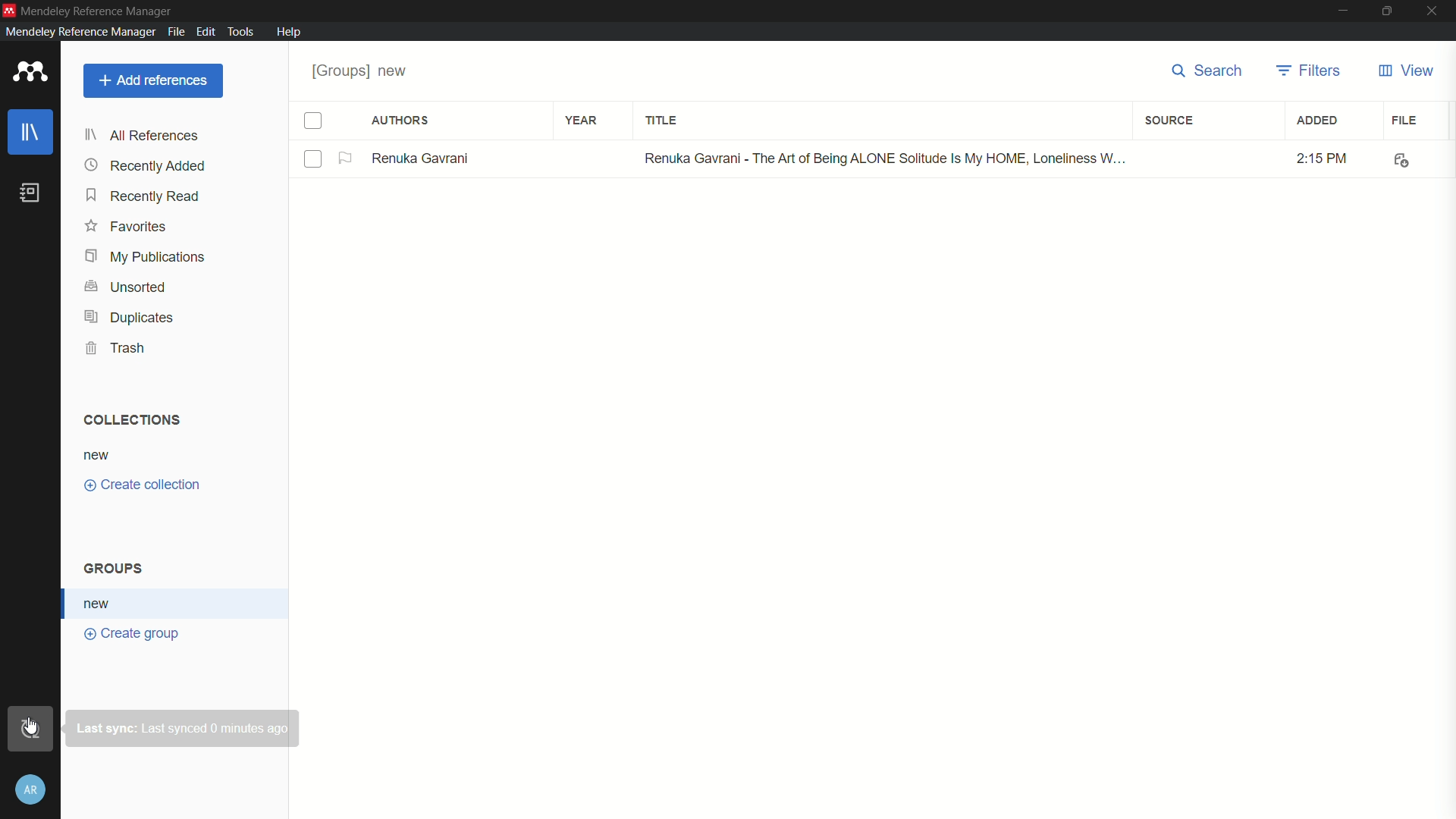 This screenshot has height=819, width=1456. Describe the element at coordinates (242, 30) in the screenshot. I see `tools menu` at that location.